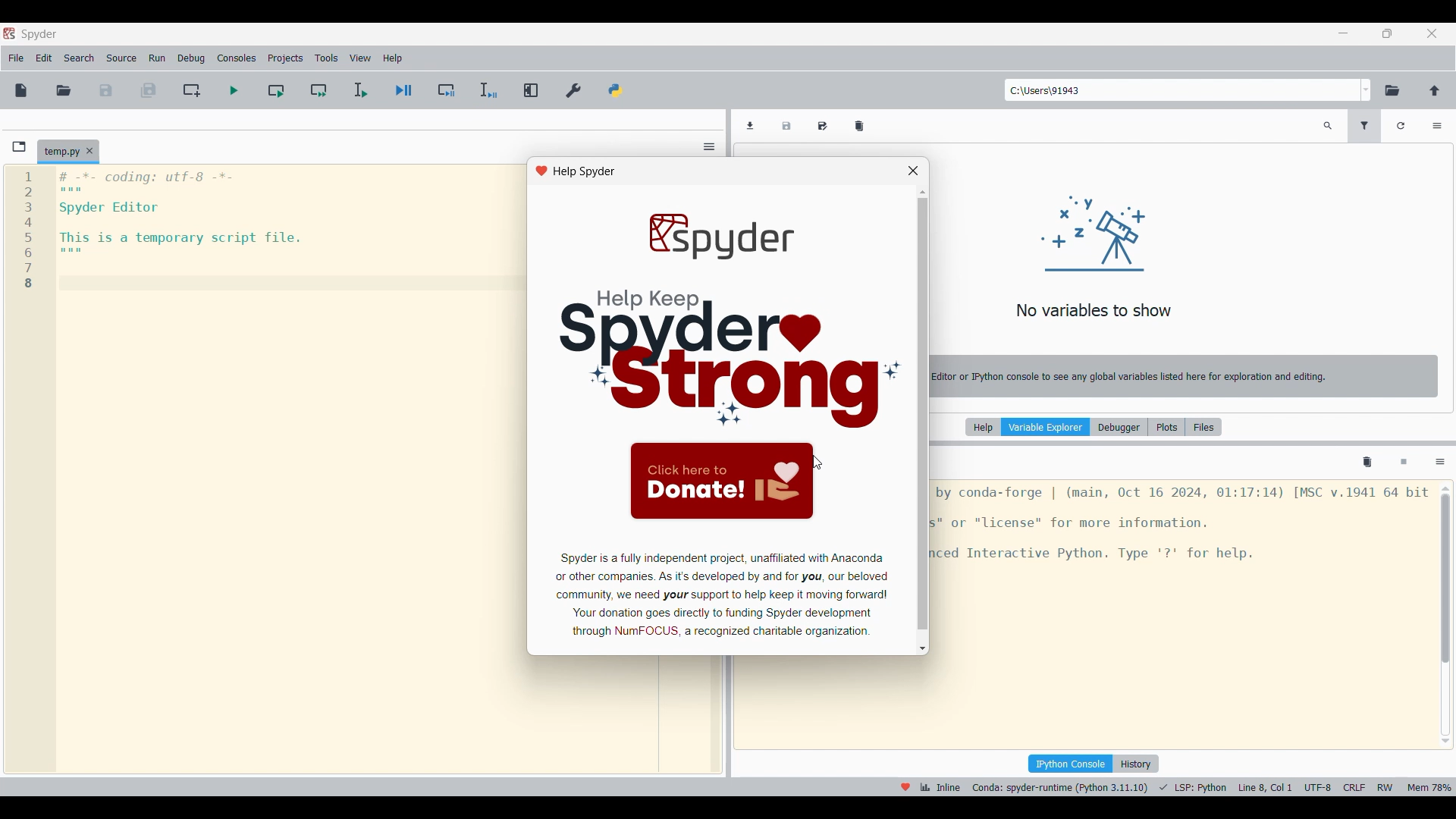 The height and width of the screenshot is (819, 1456). Describe the element at coordinates (1181, 90) in the screenshot. I see `Type in folder location` at that location.